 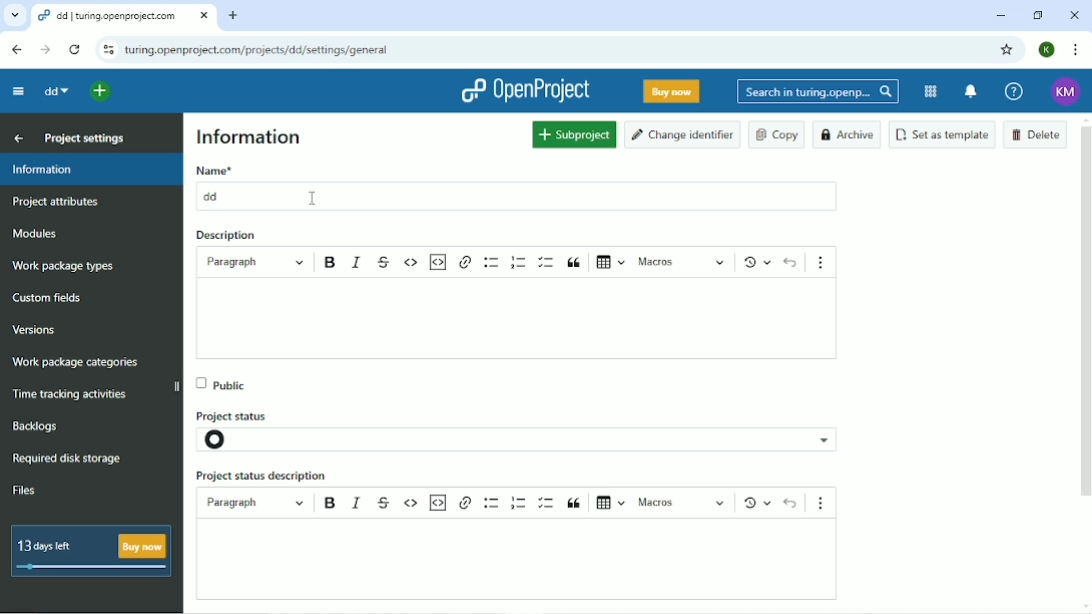 I want to click on Strikethrough, so click(x=383, y=261).